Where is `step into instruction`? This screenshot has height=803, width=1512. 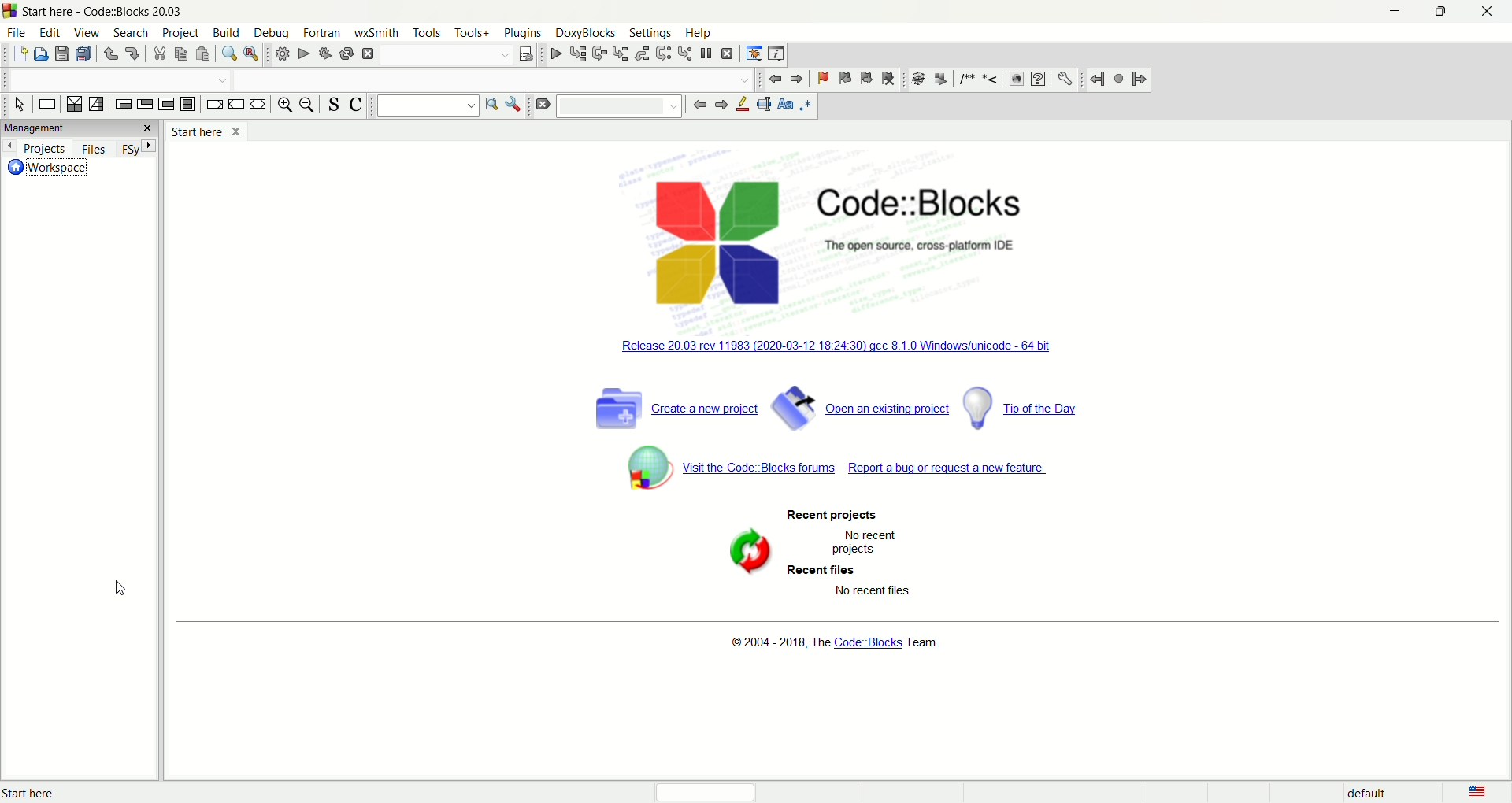 step into instruction is located at coordinates (685, 53).